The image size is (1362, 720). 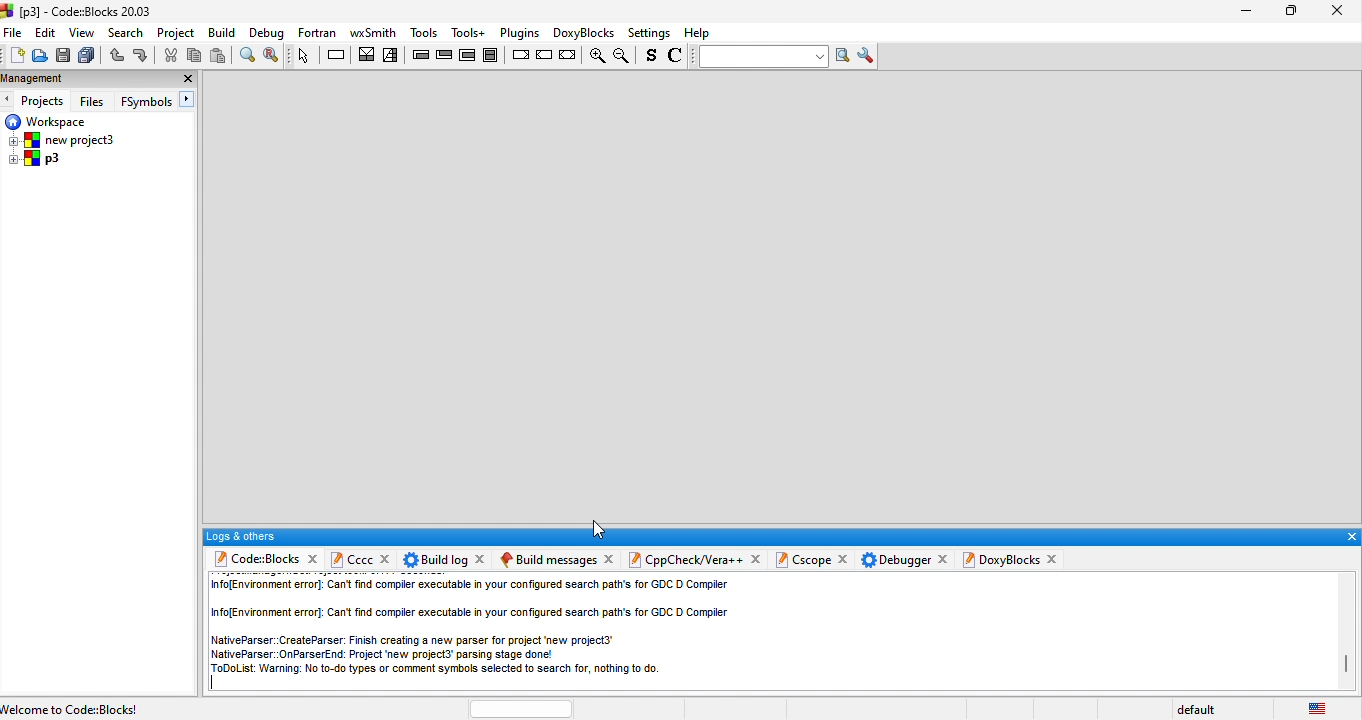 What do you see at coordinates (545, 56) in the screenshot?
I see `continue instruction` at bounding box center [545, 56].